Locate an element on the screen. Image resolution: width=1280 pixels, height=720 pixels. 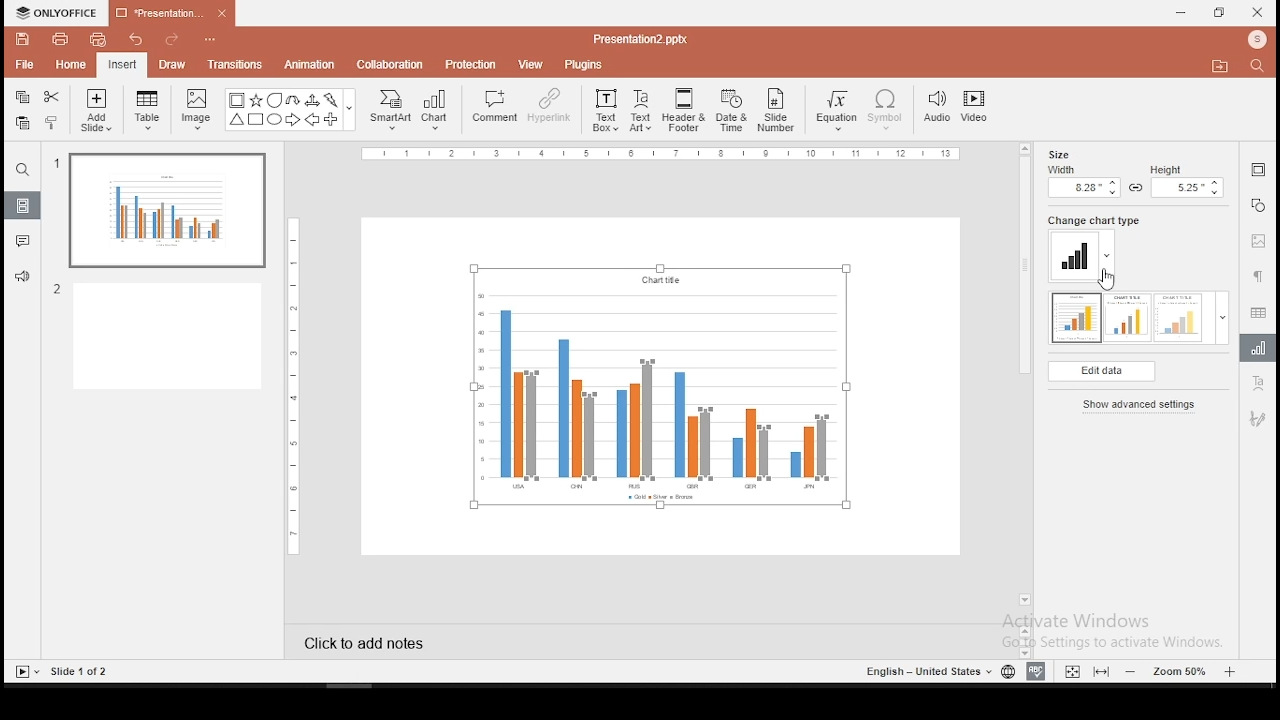
presentation is located at coordinates (169, 13).